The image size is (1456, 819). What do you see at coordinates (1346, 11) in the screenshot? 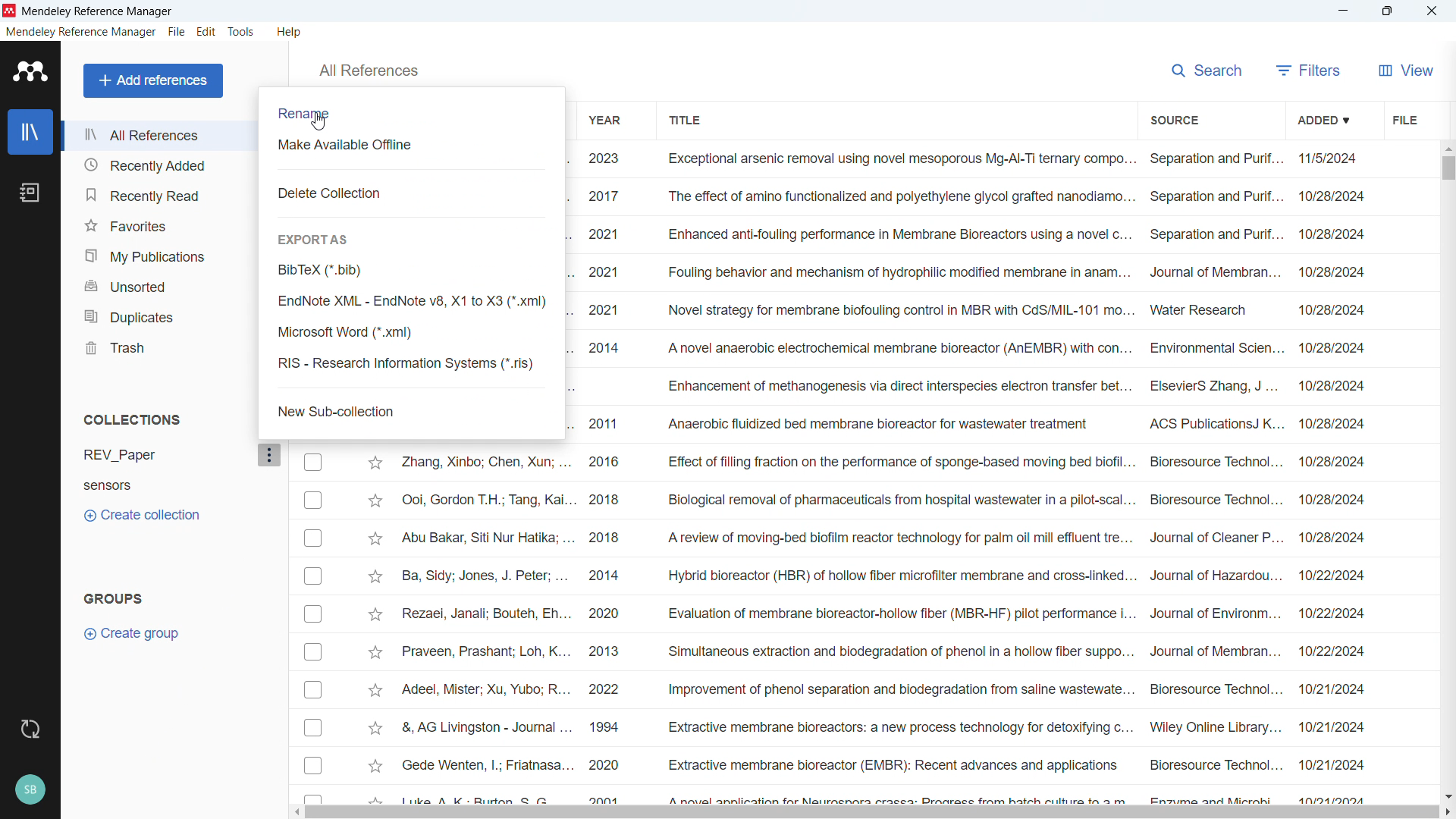
I see `minimise ` at bounding box center [1346, 11].